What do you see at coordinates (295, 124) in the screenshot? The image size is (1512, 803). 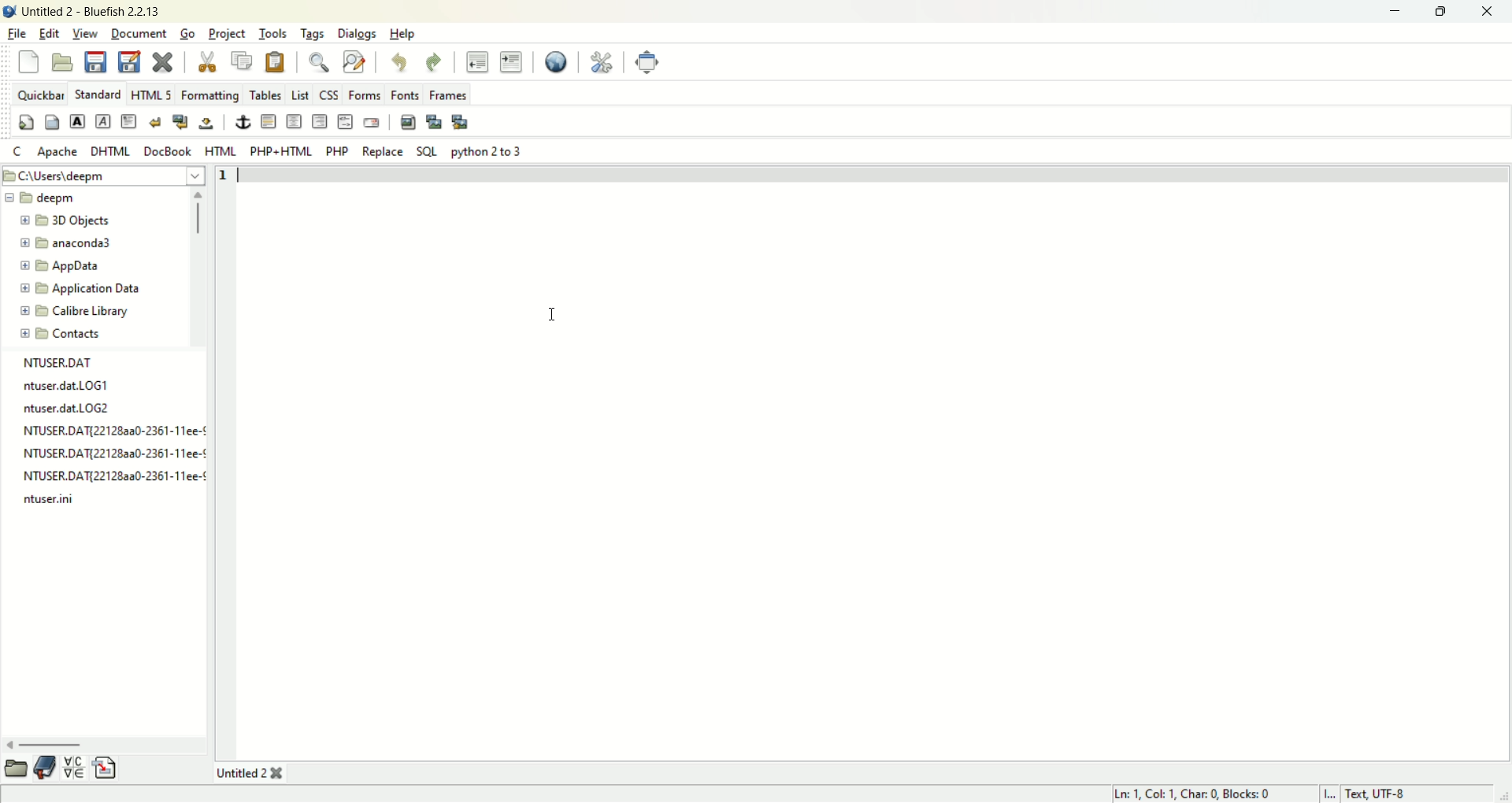 I see `center` at bounding box center [295, 124].